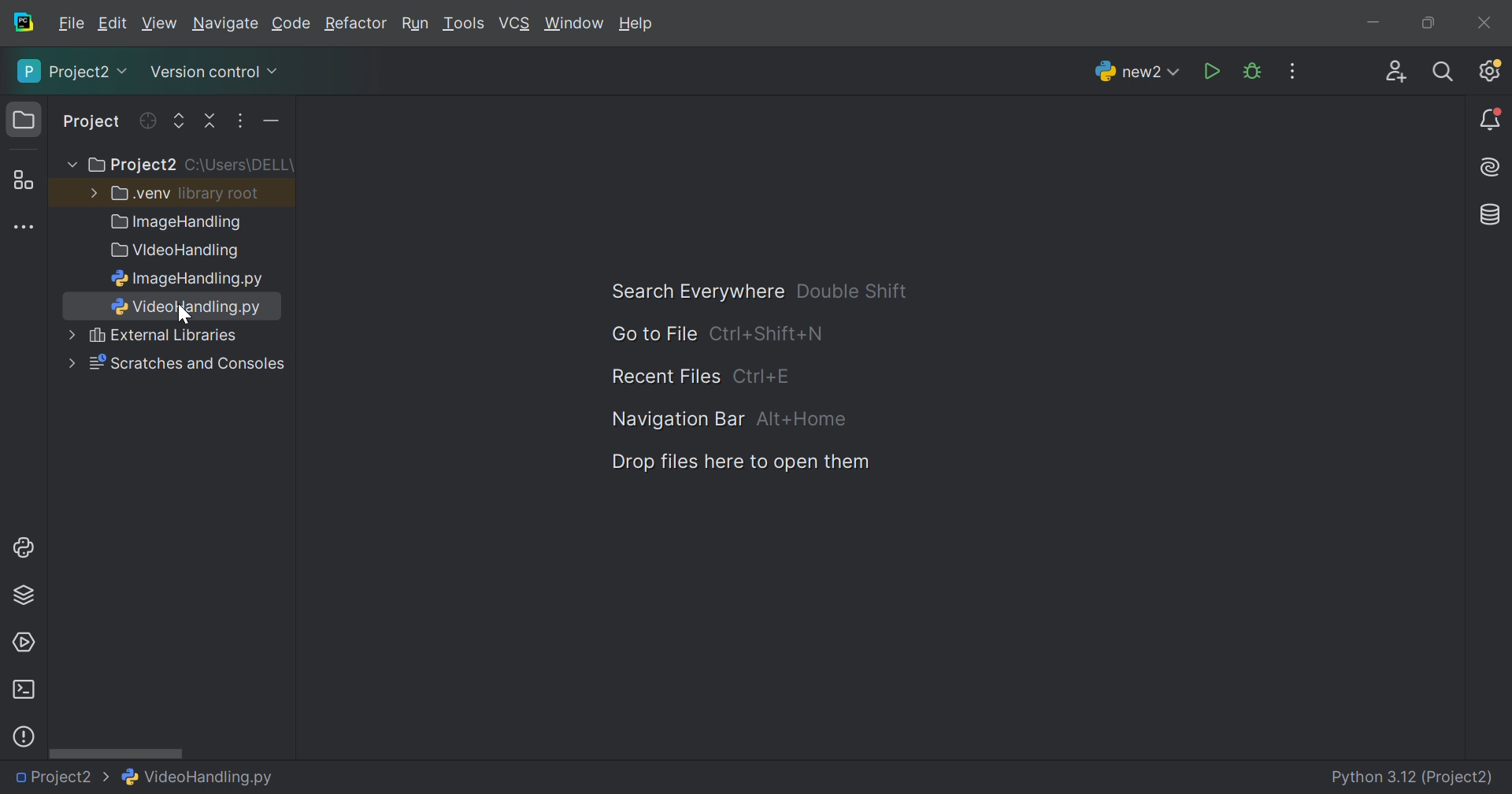 The image size is (1512, 794). What do you see at coordinates (1396, 74) in the screenshot?
I see `Code with me` at bounding box center [1396, 74].